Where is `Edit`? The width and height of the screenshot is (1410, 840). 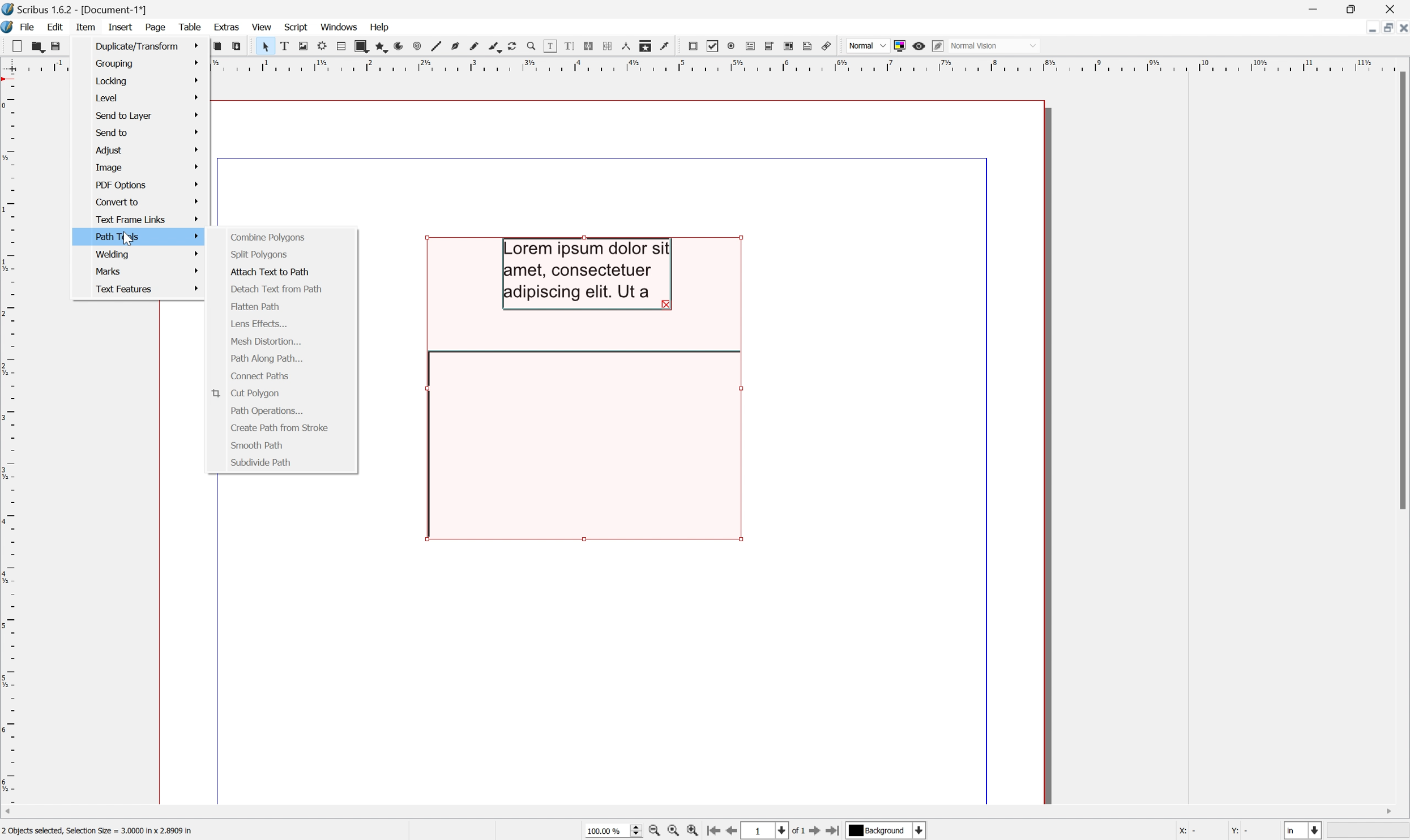
Edit is located at coordinates (54, 28).